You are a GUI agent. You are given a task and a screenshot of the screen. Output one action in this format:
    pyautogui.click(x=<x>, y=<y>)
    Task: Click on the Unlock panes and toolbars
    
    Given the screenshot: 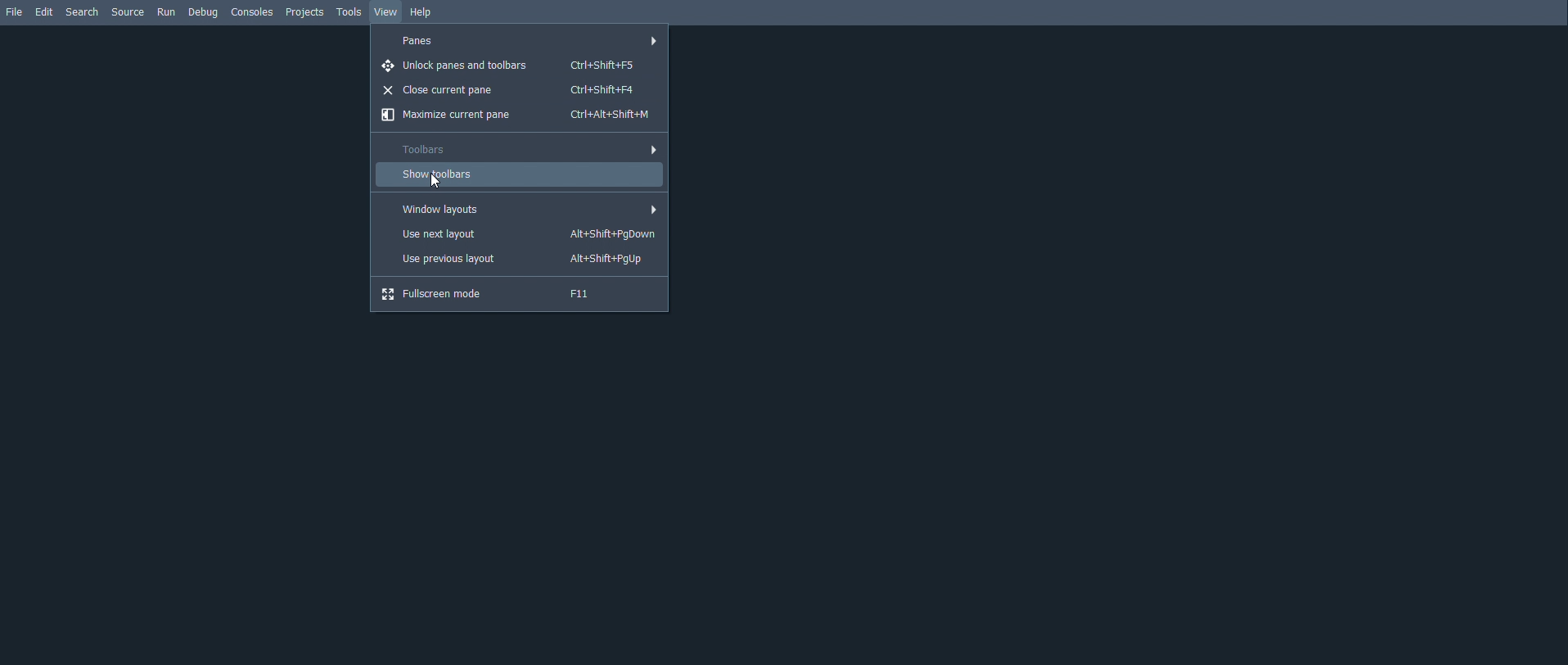 What is the action you would take?
    pyautogui.click(x=511, y=65)
    